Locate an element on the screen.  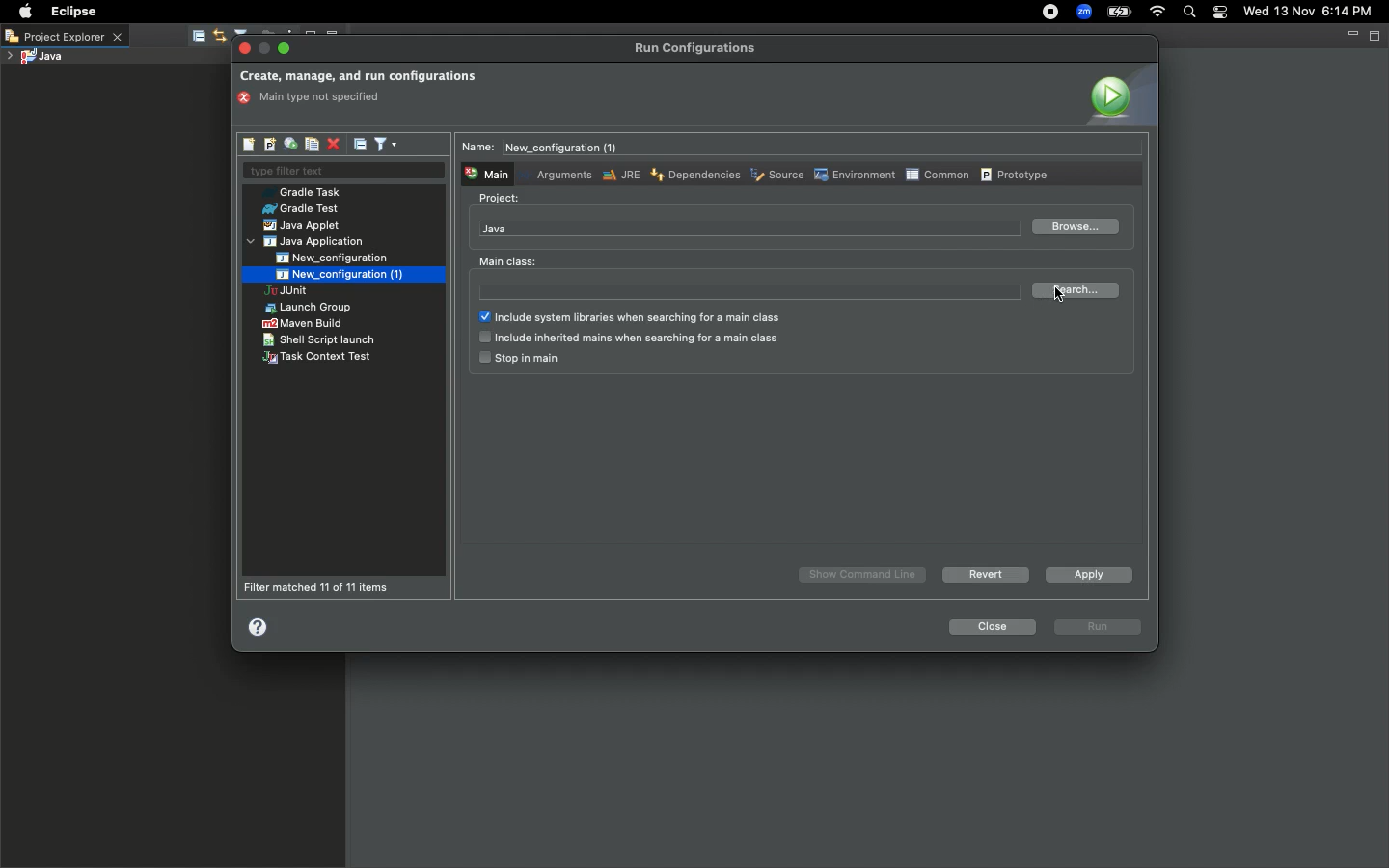
Zoom is located at coordinates (1081, 14).